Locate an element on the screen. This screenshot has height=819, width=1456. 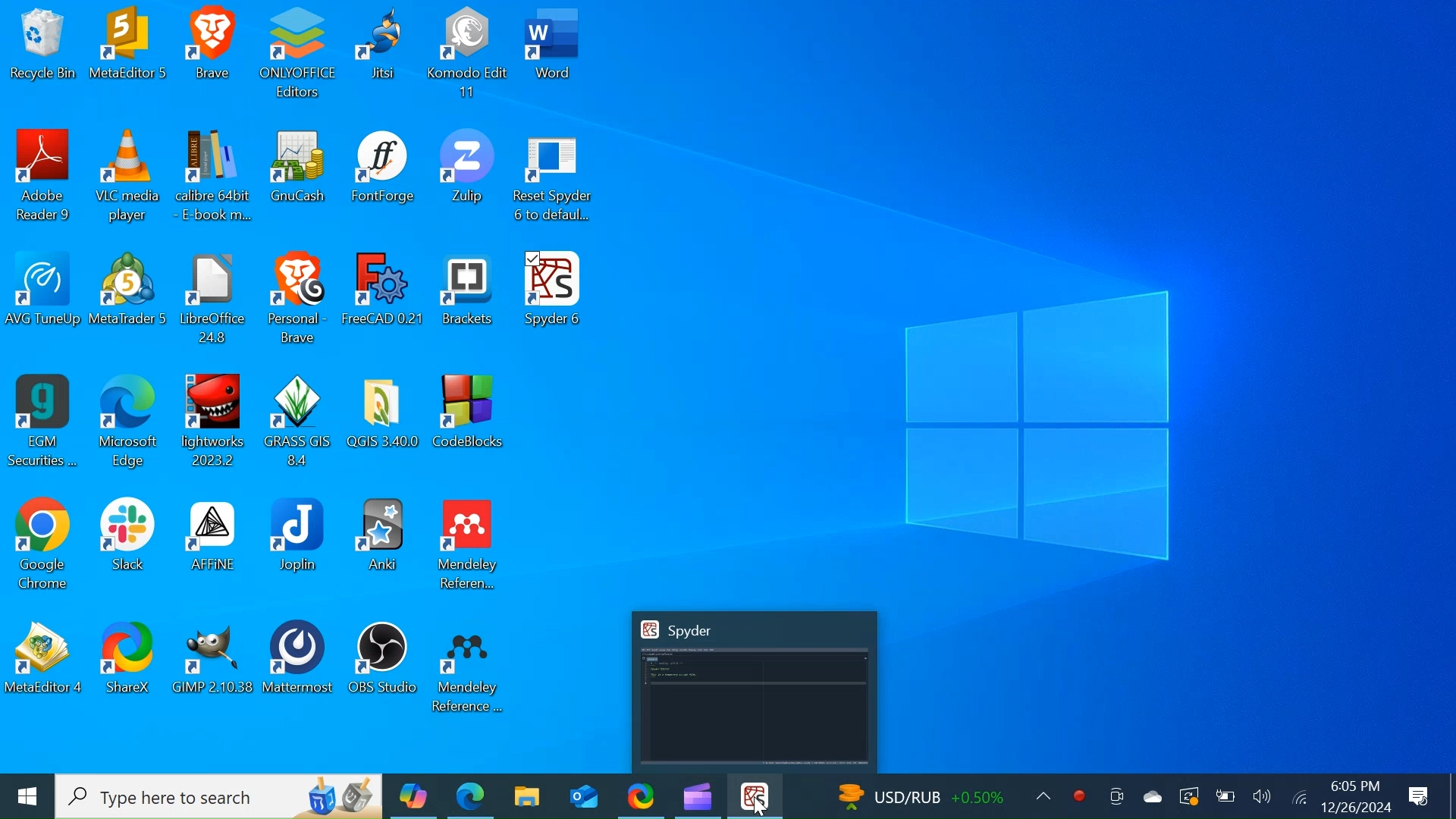
AFFiNE is located at coordinates (211, 545).